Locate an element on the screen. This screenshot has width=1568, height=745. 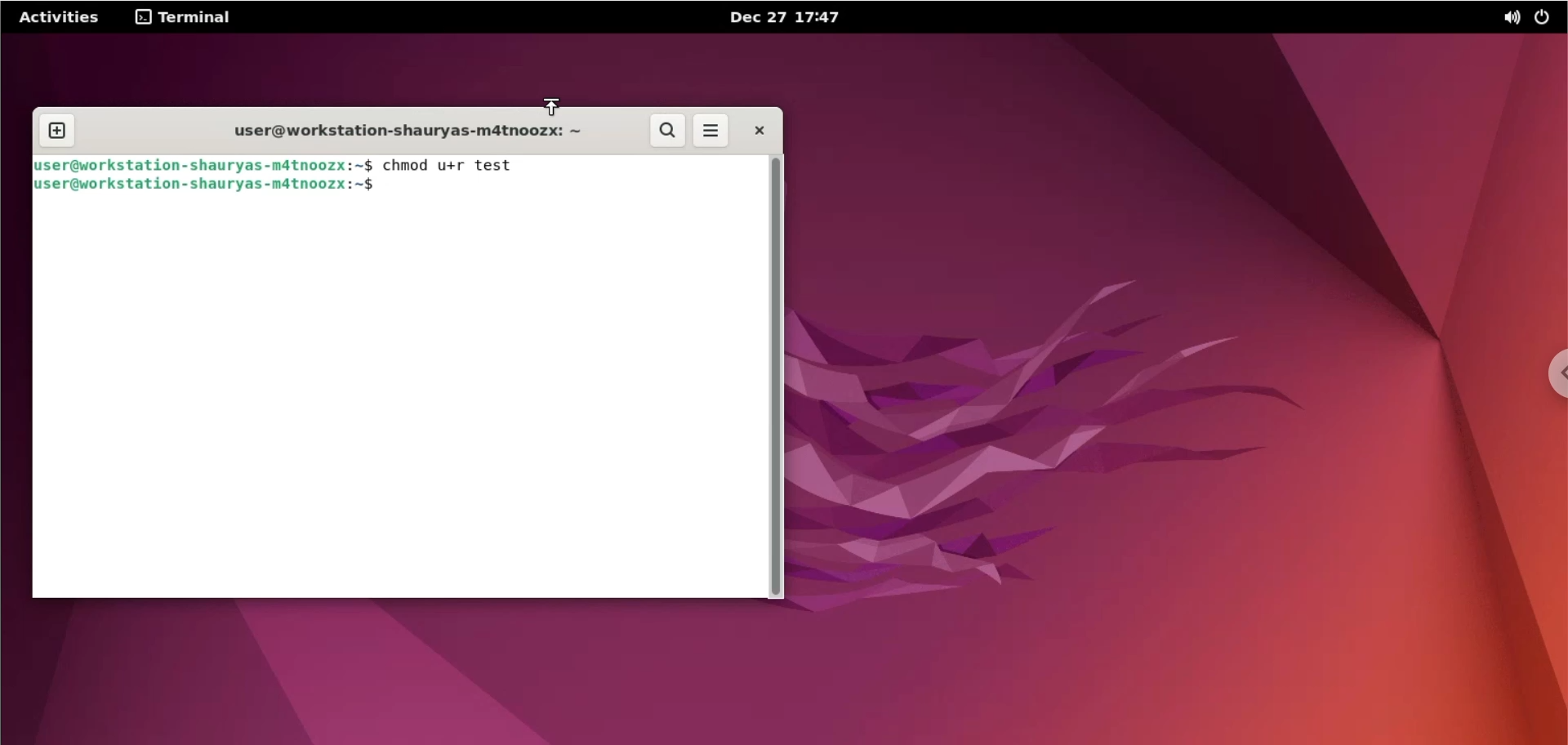
mouse pointer is located at coordinates (550, 108).